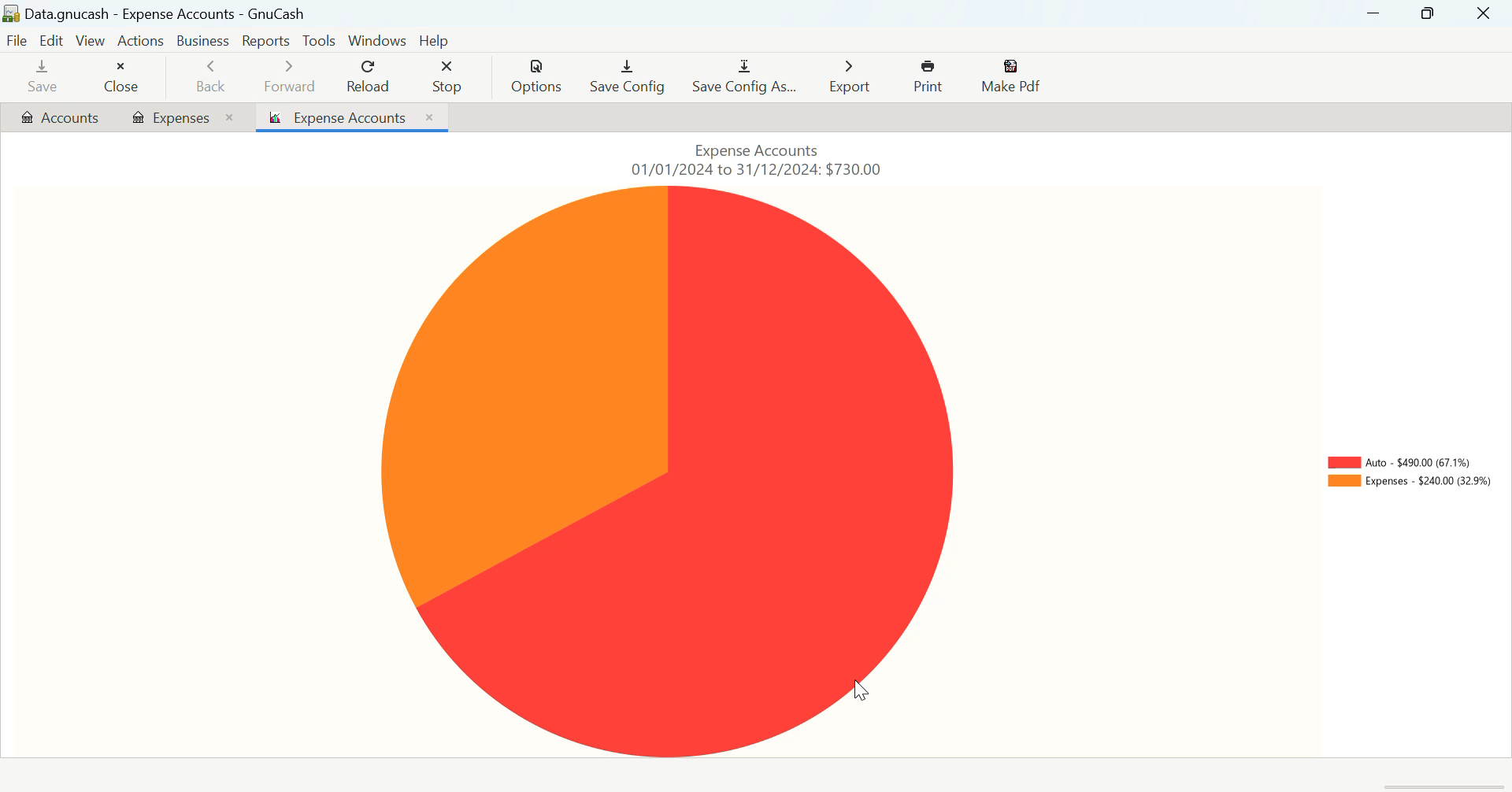  Describe the element at coordinates (746, 77) in the screenshot. I see `Save Config As` at that location.